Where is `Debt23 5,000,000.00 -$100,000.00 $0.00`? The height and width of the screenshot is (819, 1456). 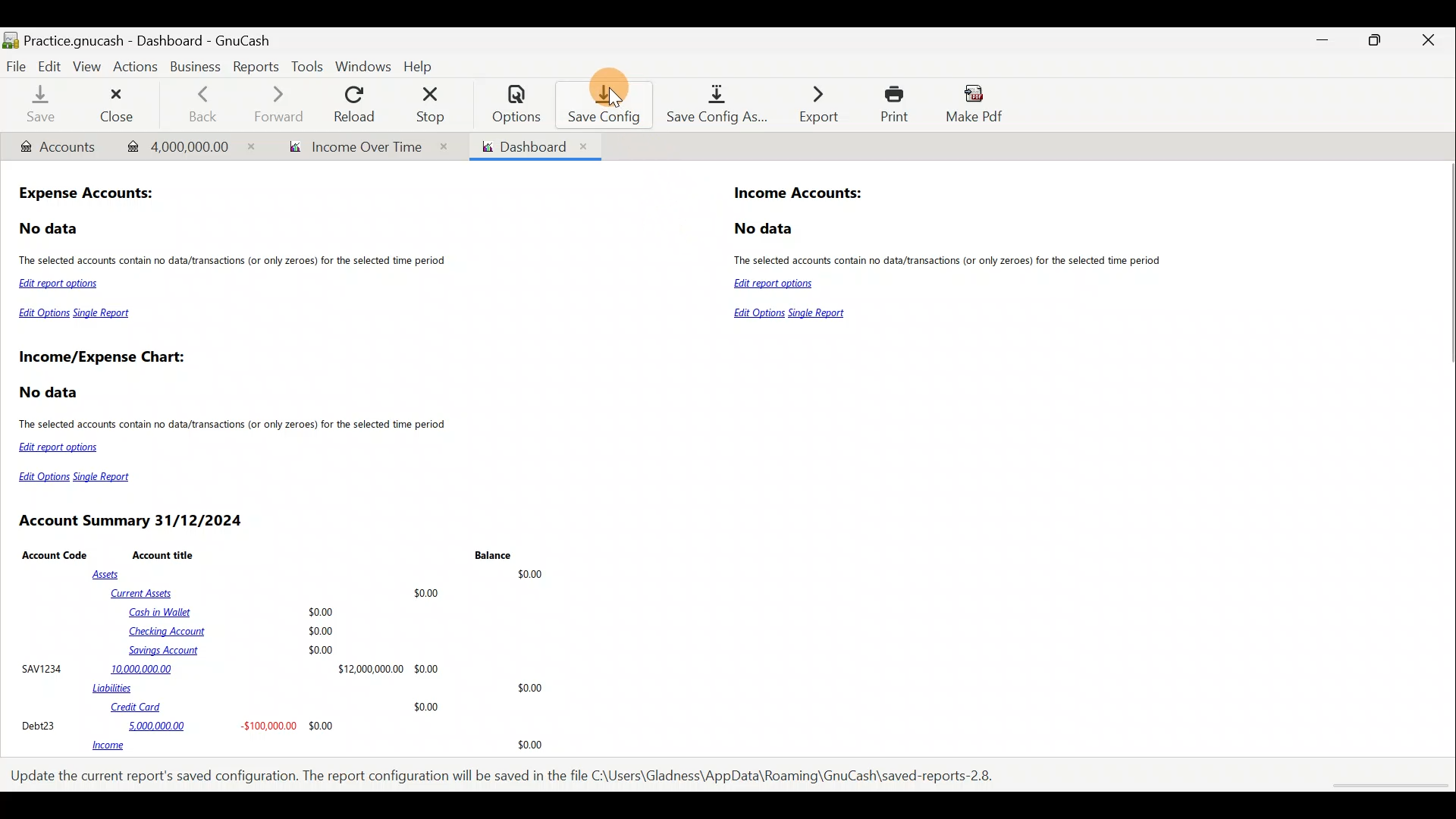
Debt23 5,000,000.00 -$100,000.00 $0.00 is located at coordinates (179, 725).